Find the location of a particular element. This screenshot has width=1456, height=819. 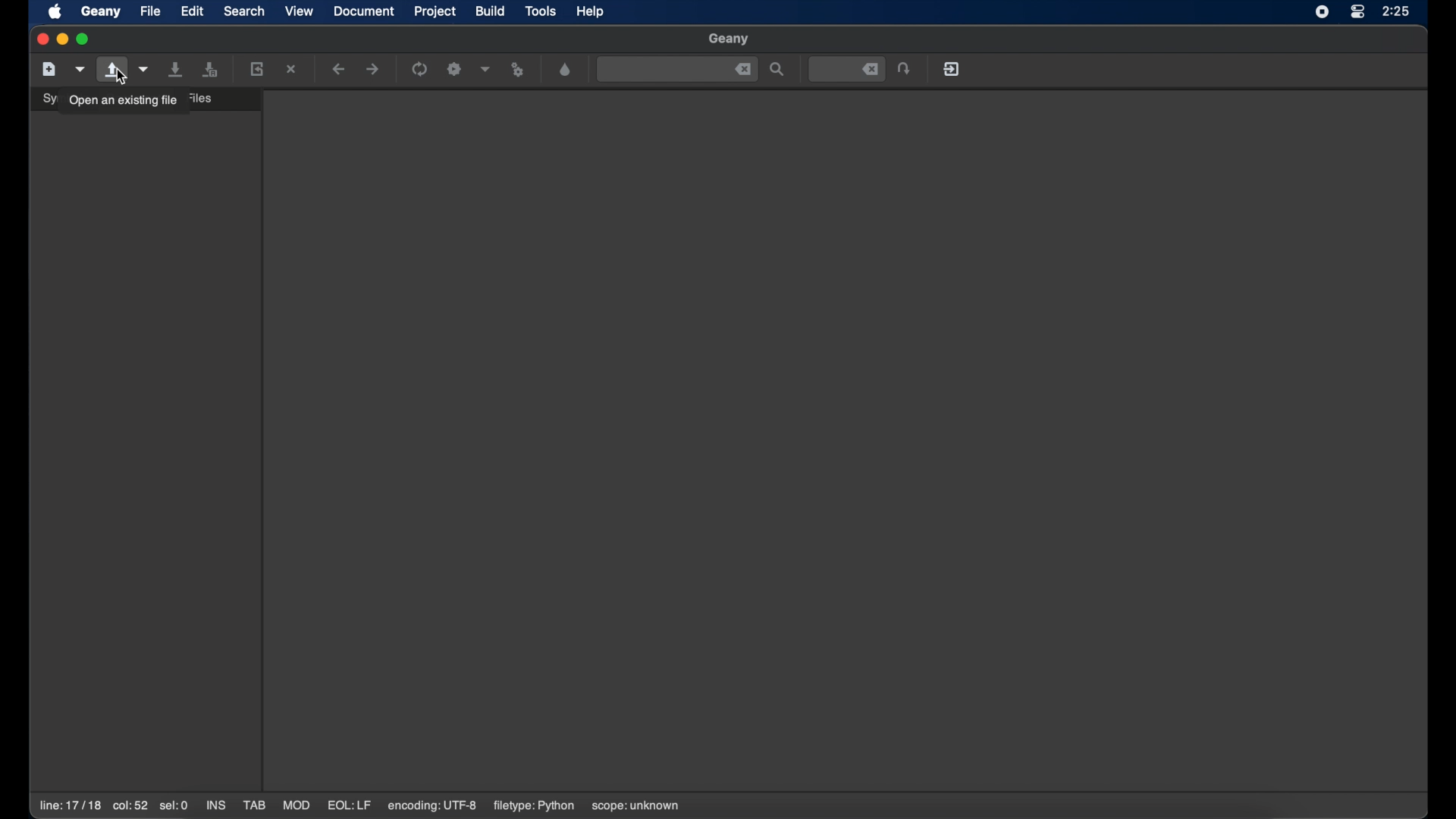

navigate forward a location is located at coordinates (374, 70).